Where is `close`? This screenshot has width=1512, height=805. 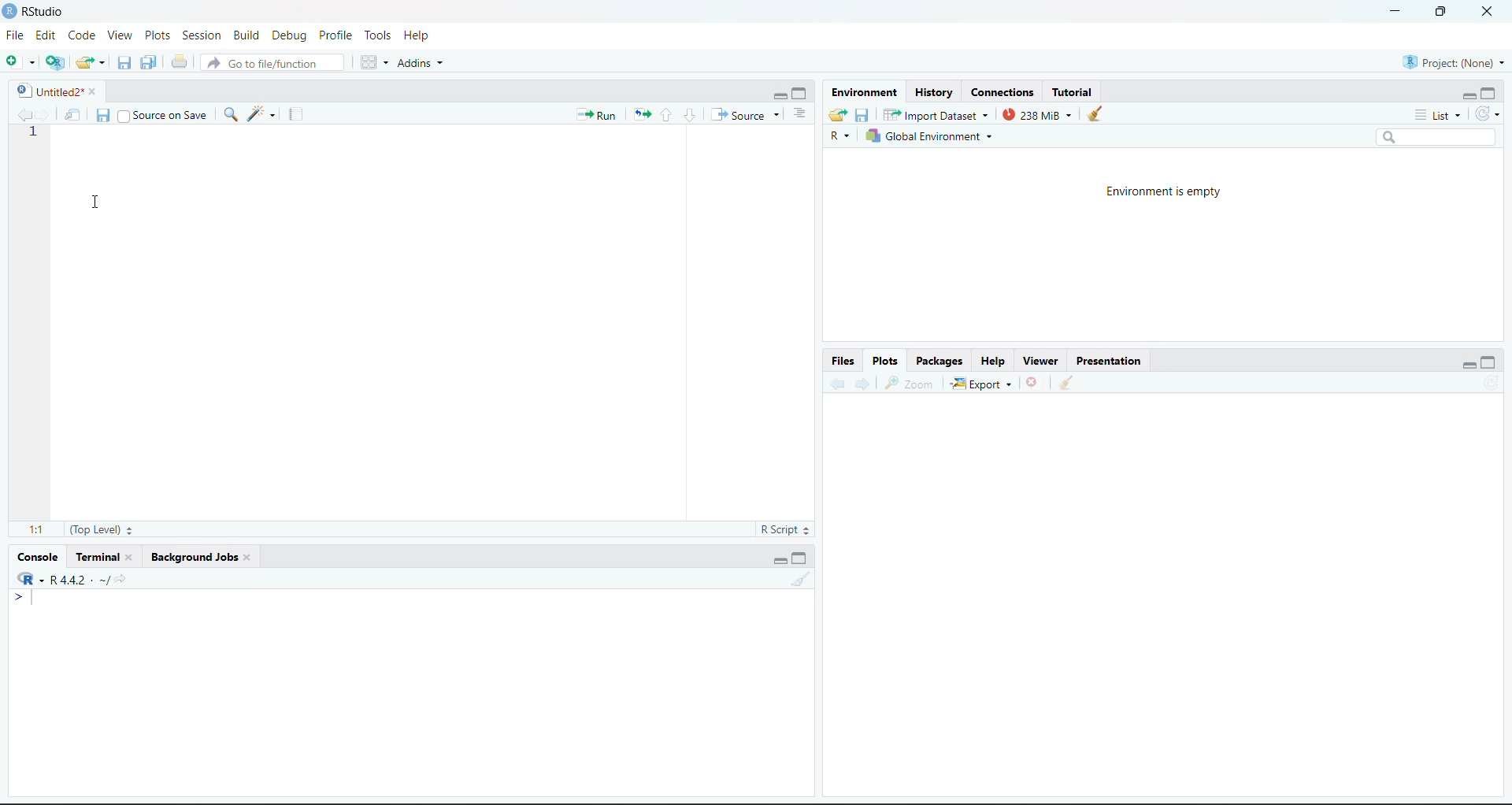 close is located at coordinates (1488, 12).